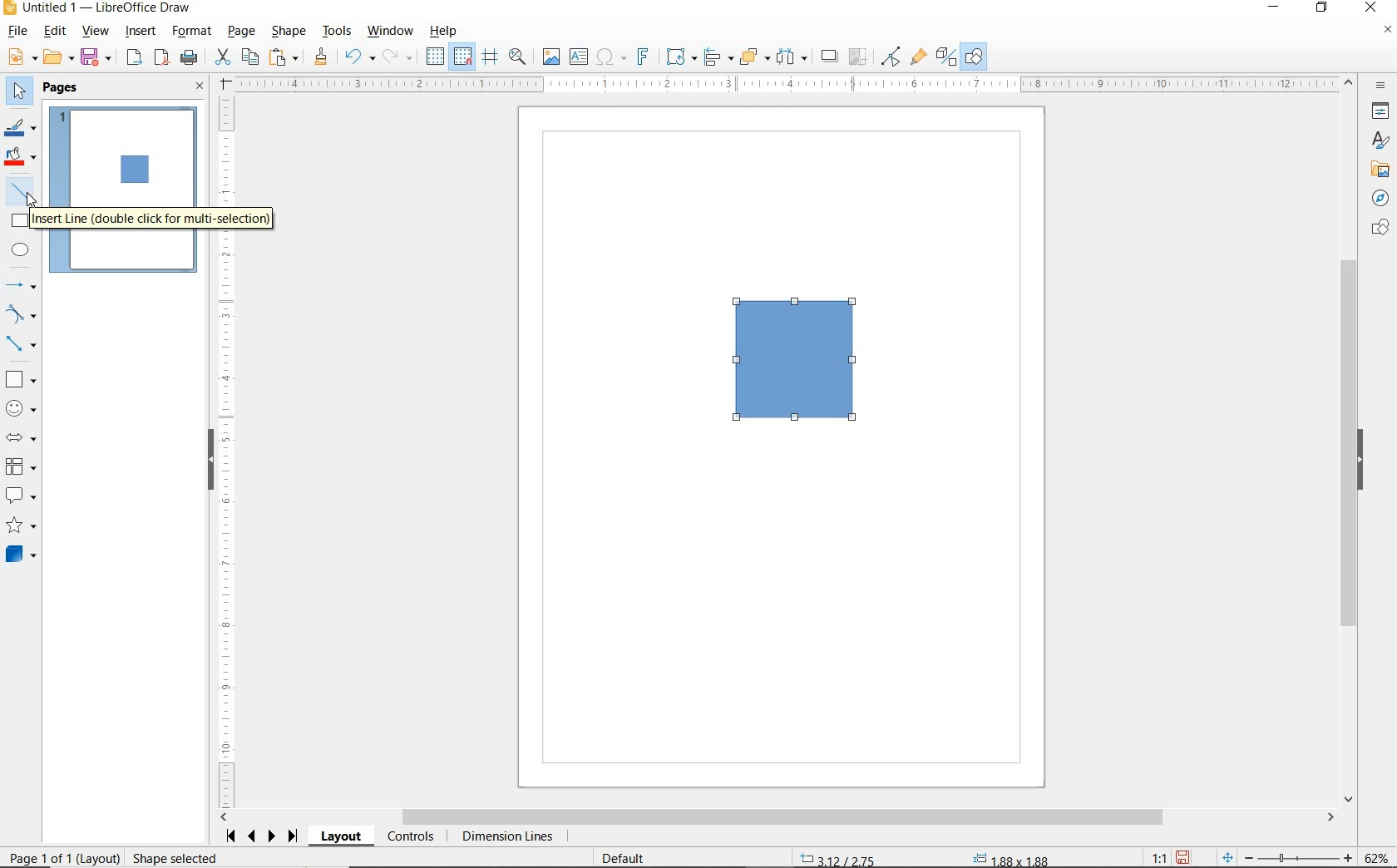  I want to click on SCALING FACTOR, so click(1153, 854).